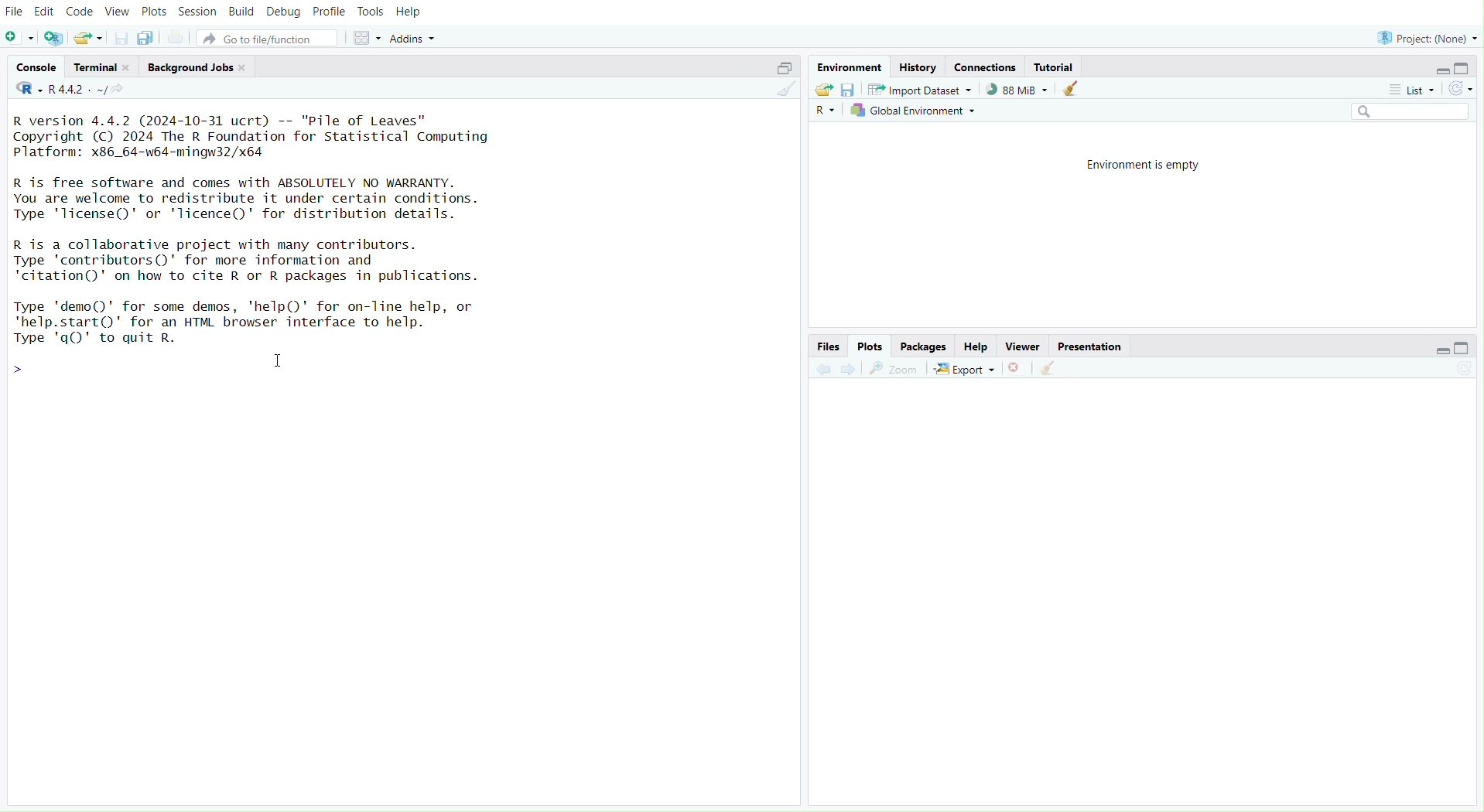  What do you see at coordinates (87, 38) in the screenshot?
I see `Open an existing file (Ctrl + O)` at bounding box center [87, 38].